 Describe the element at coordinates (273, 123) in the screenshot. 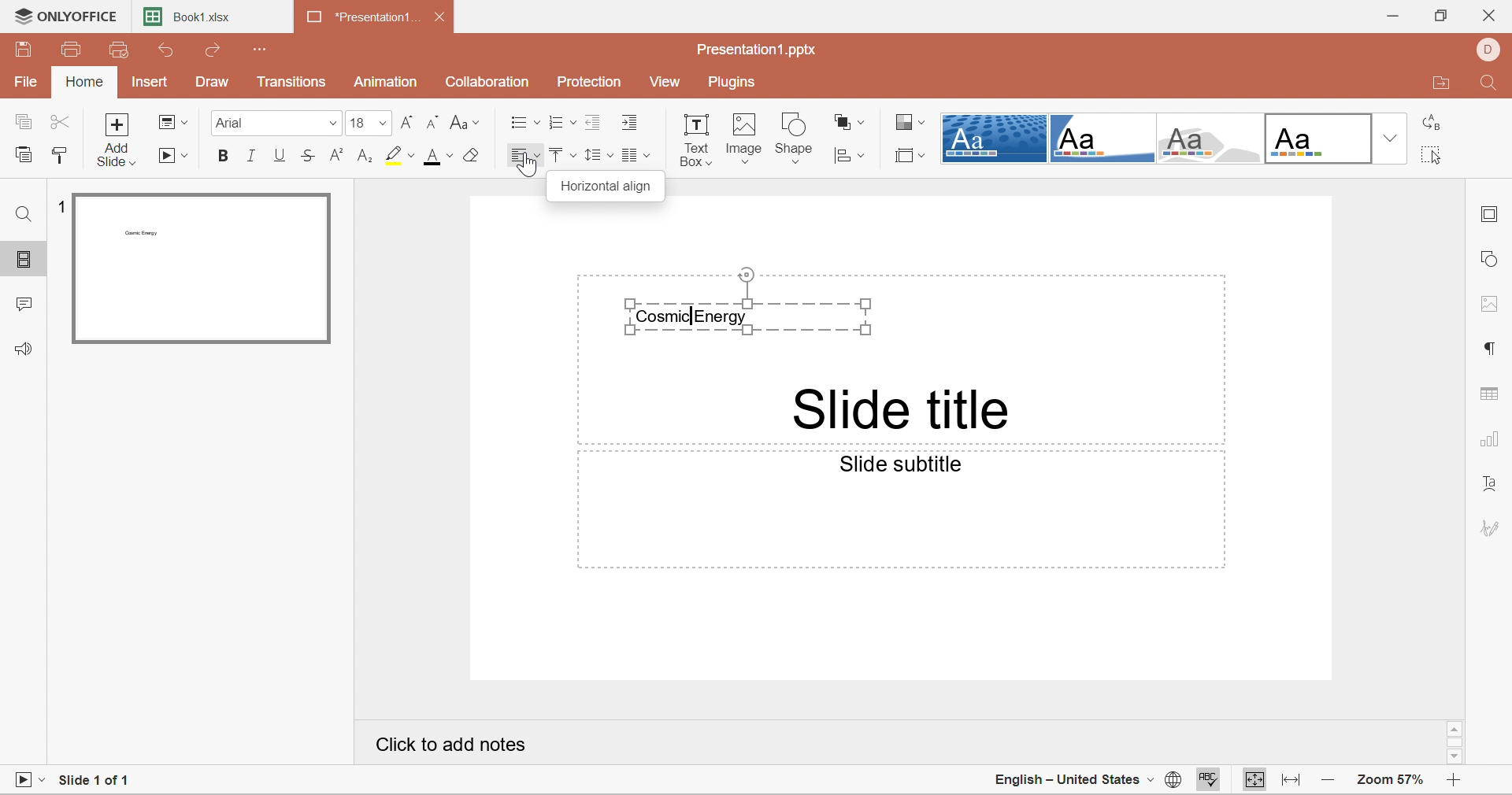

I see `Arial` at that location.